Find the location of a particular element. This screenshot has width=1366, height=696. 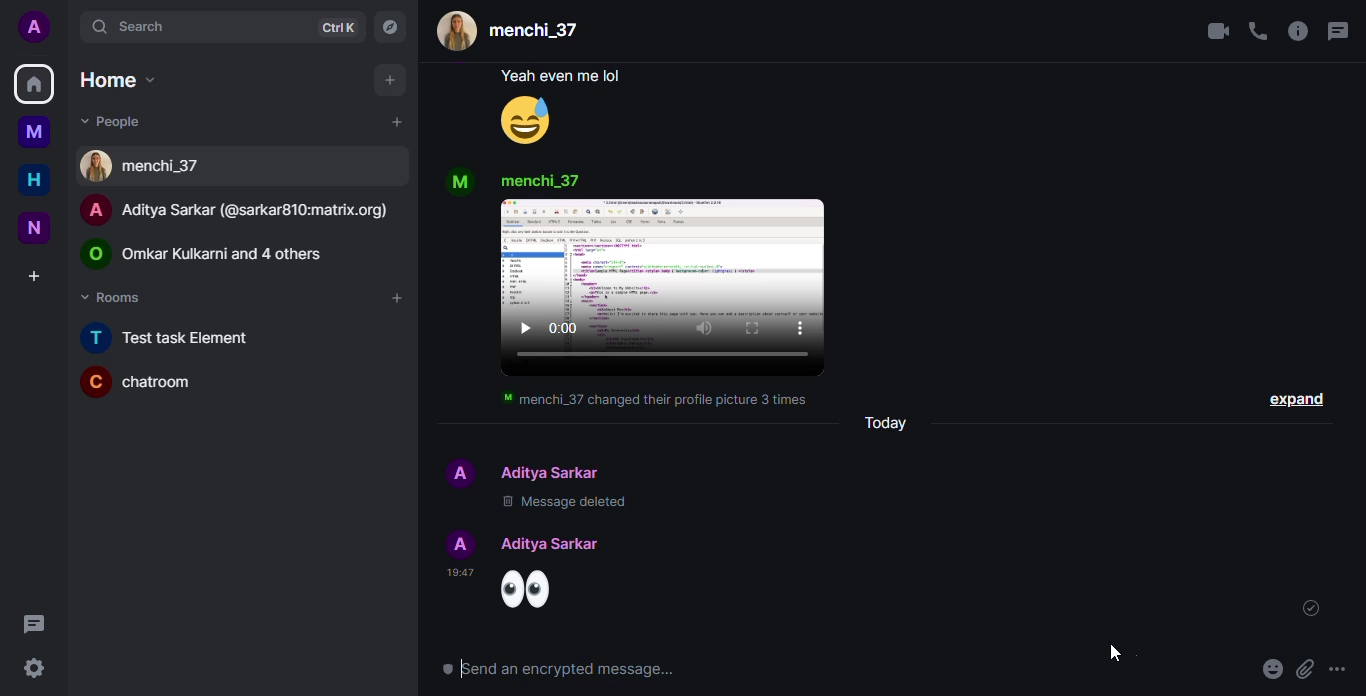

video is located at coordinates (665, 341).